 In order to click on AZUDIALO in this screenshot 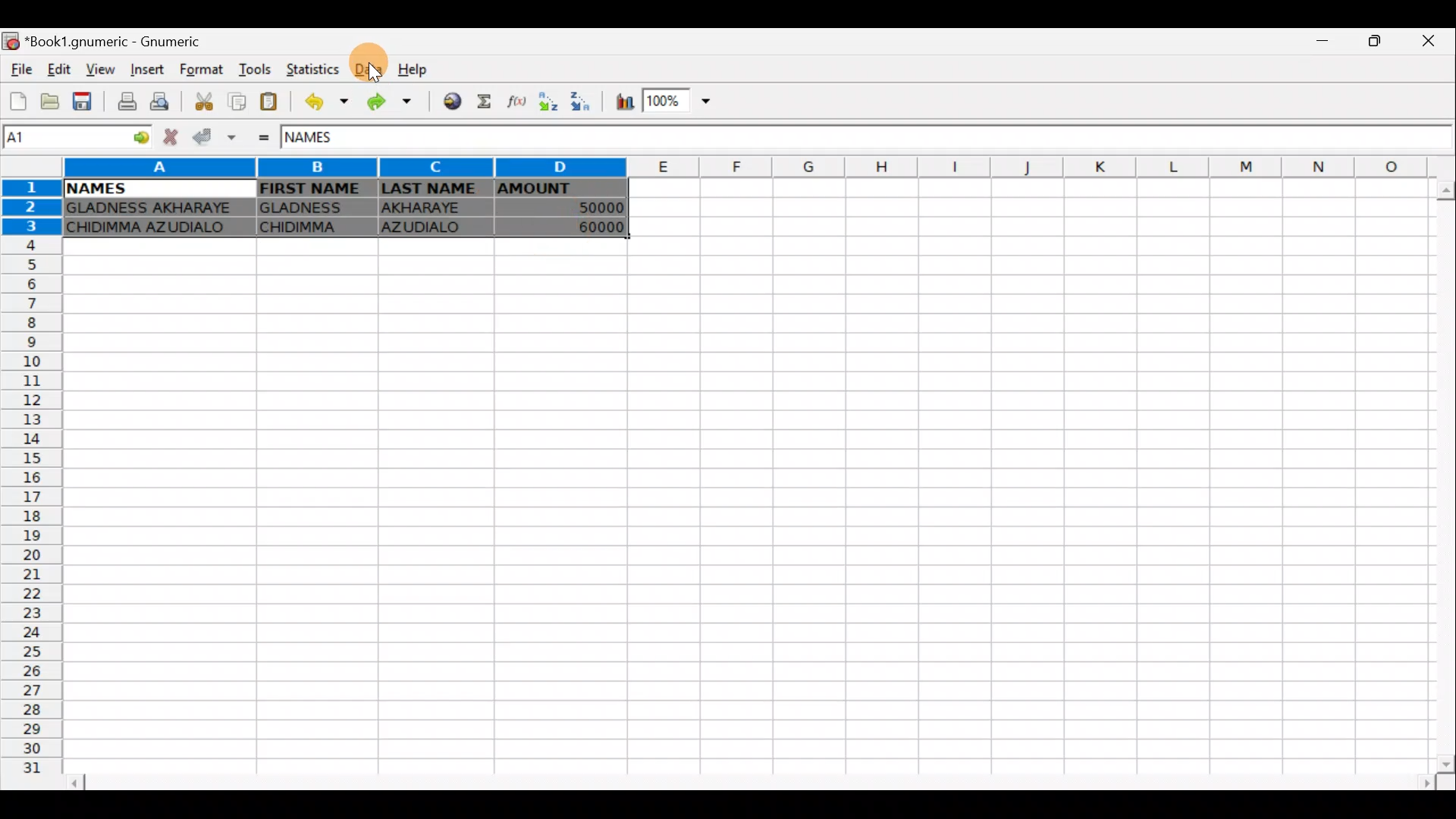, I will do `click(429, 229)`.